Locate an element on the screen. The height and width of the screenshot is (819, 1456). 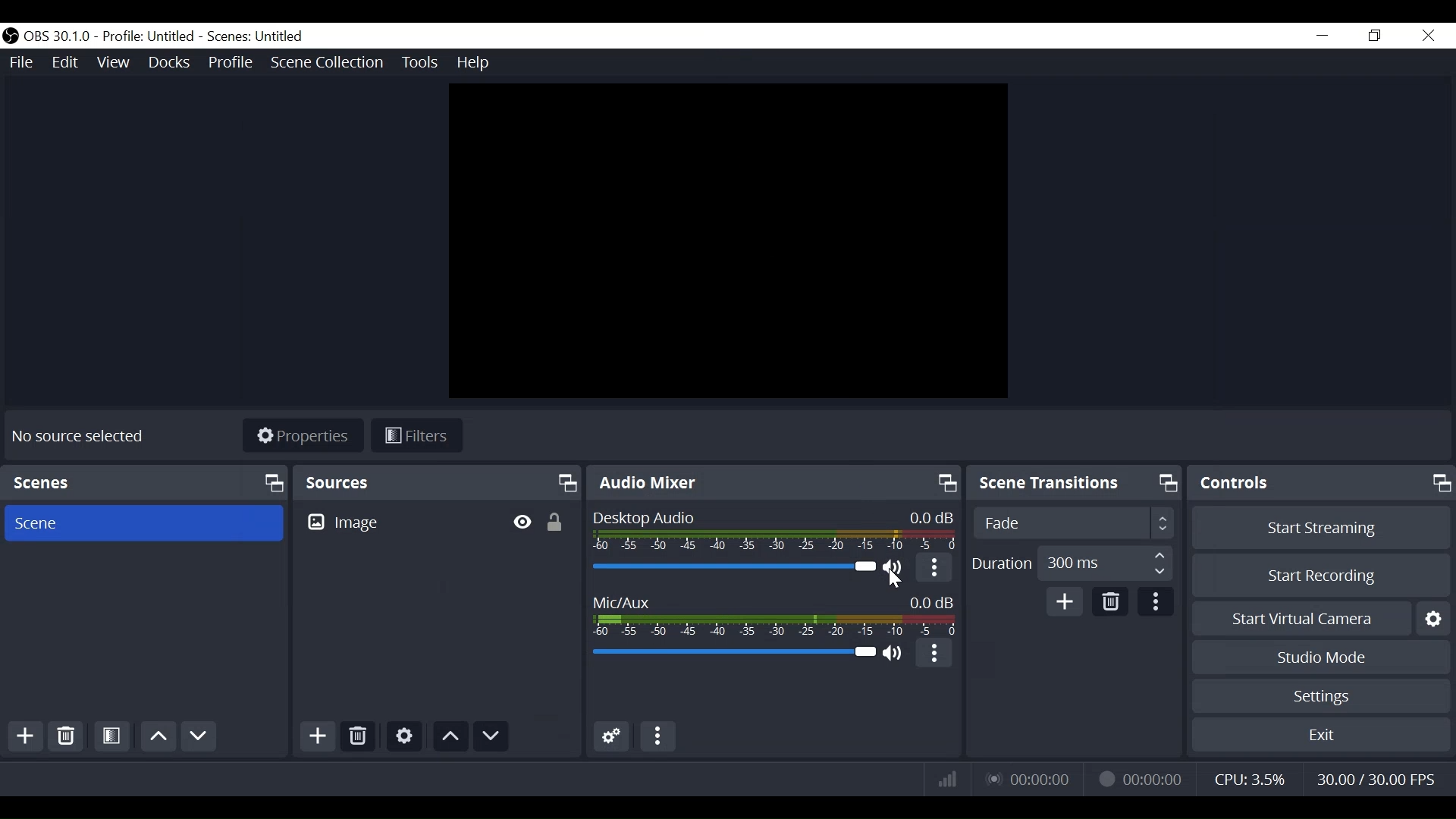
Mic/Aux Slider is located at coordinates (734, 654).